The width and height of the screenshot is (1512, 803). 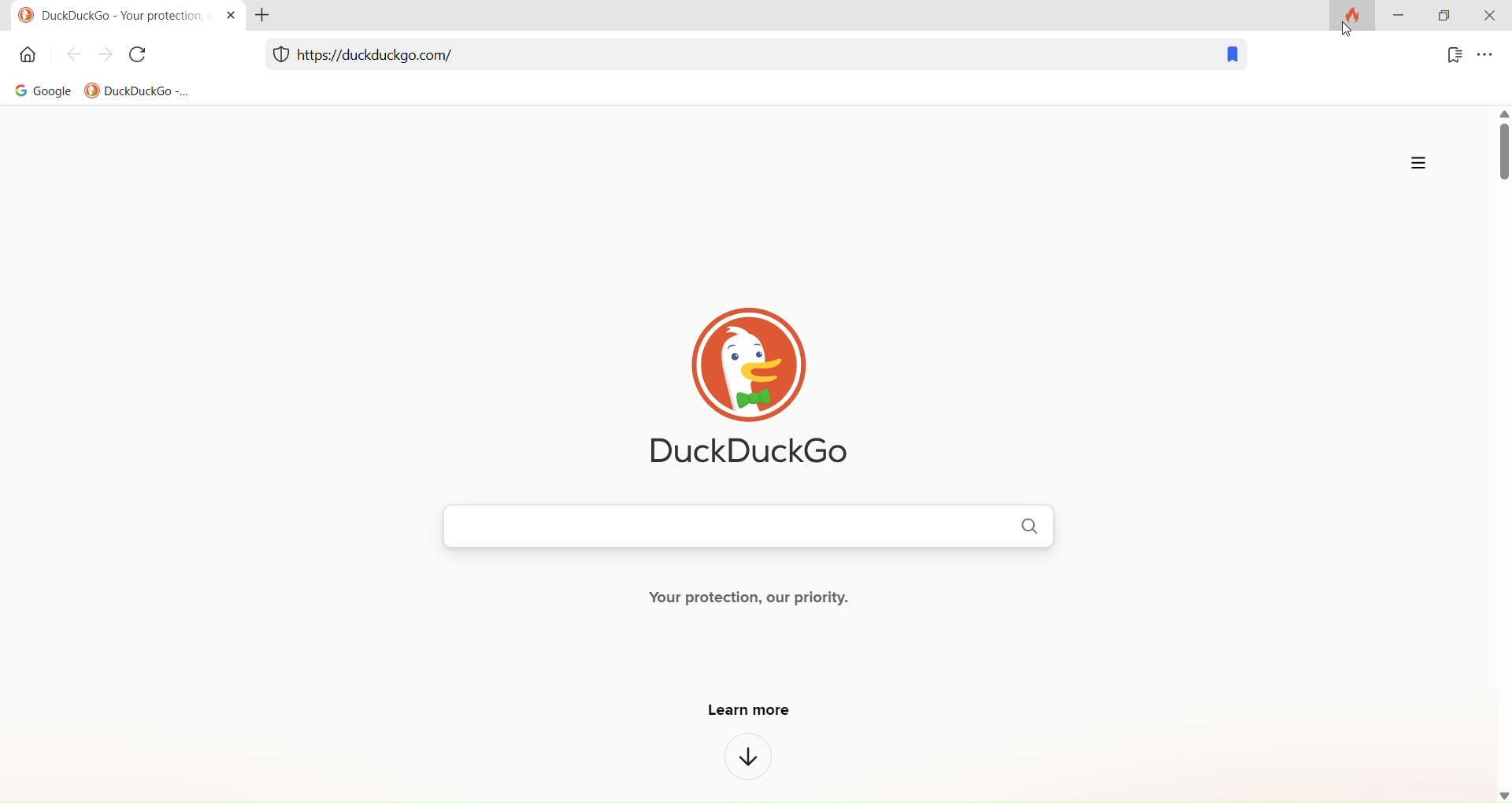 I want to click on your protection, our priority, so click(x=770, y=605).